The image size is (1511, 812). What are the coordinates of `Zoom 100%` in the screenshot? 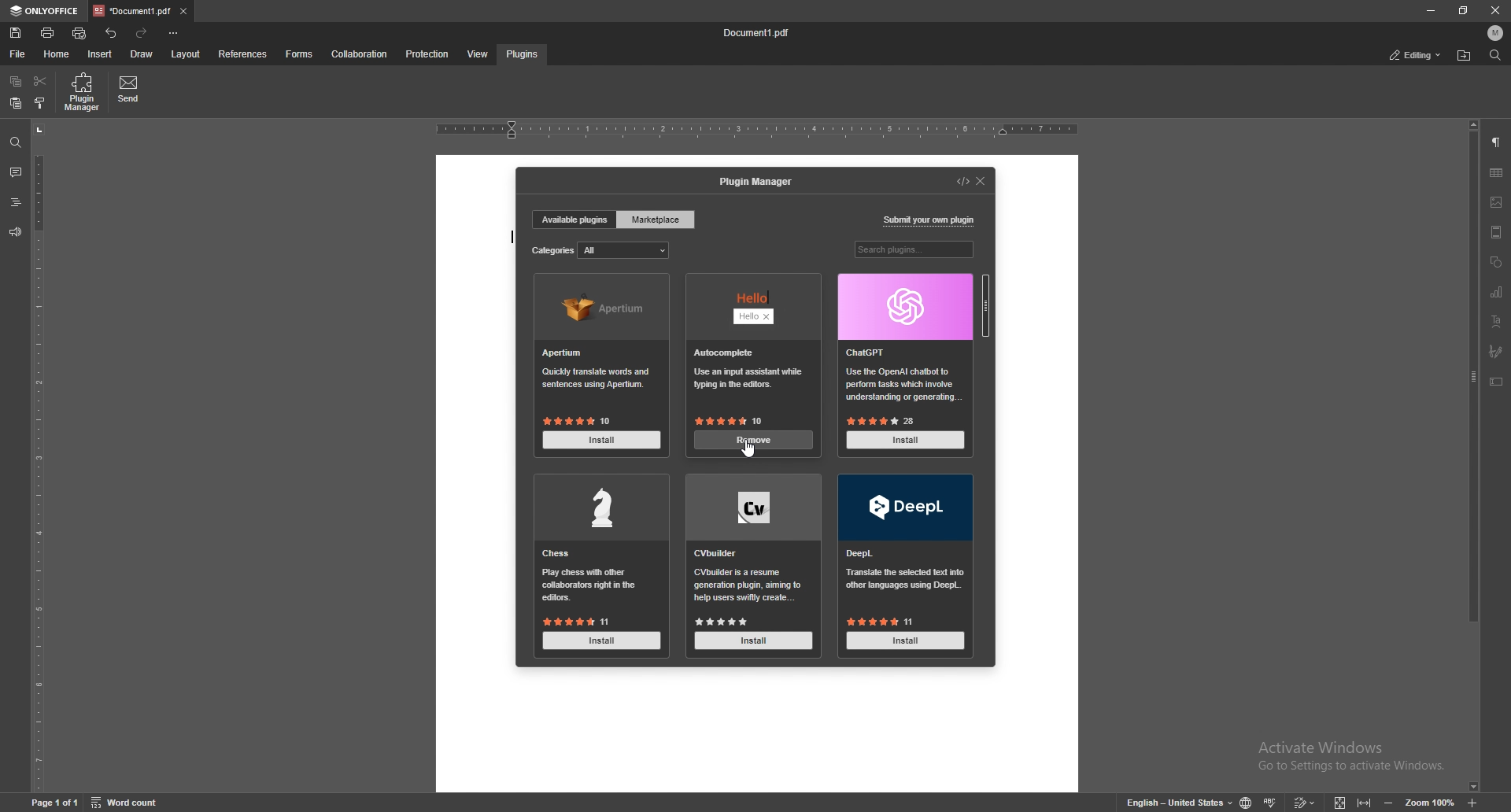 It's located at (1430, 801).